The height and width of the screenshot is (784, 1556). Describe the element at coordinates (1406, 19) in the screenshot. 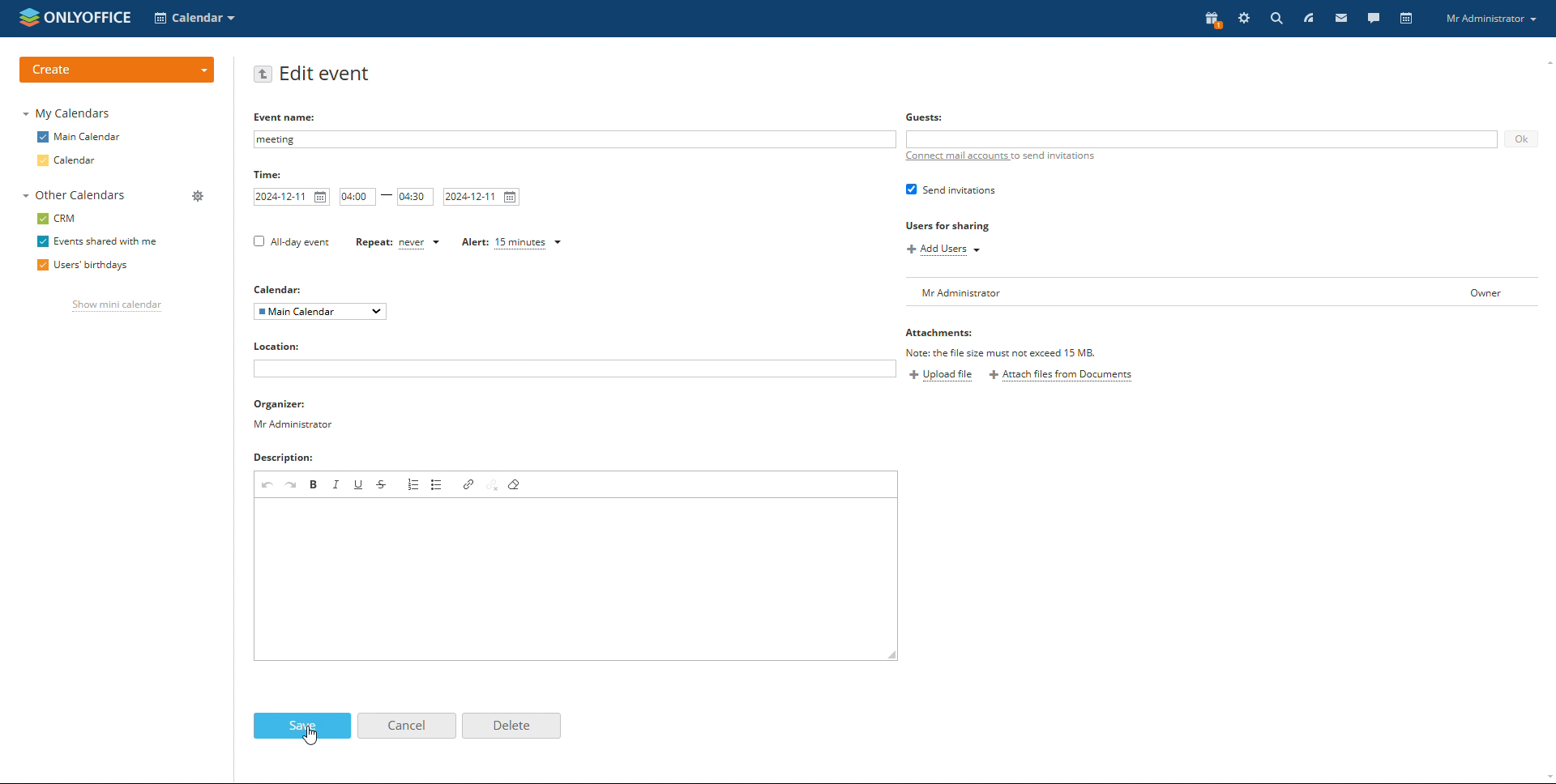

I see `calendar` at that location.